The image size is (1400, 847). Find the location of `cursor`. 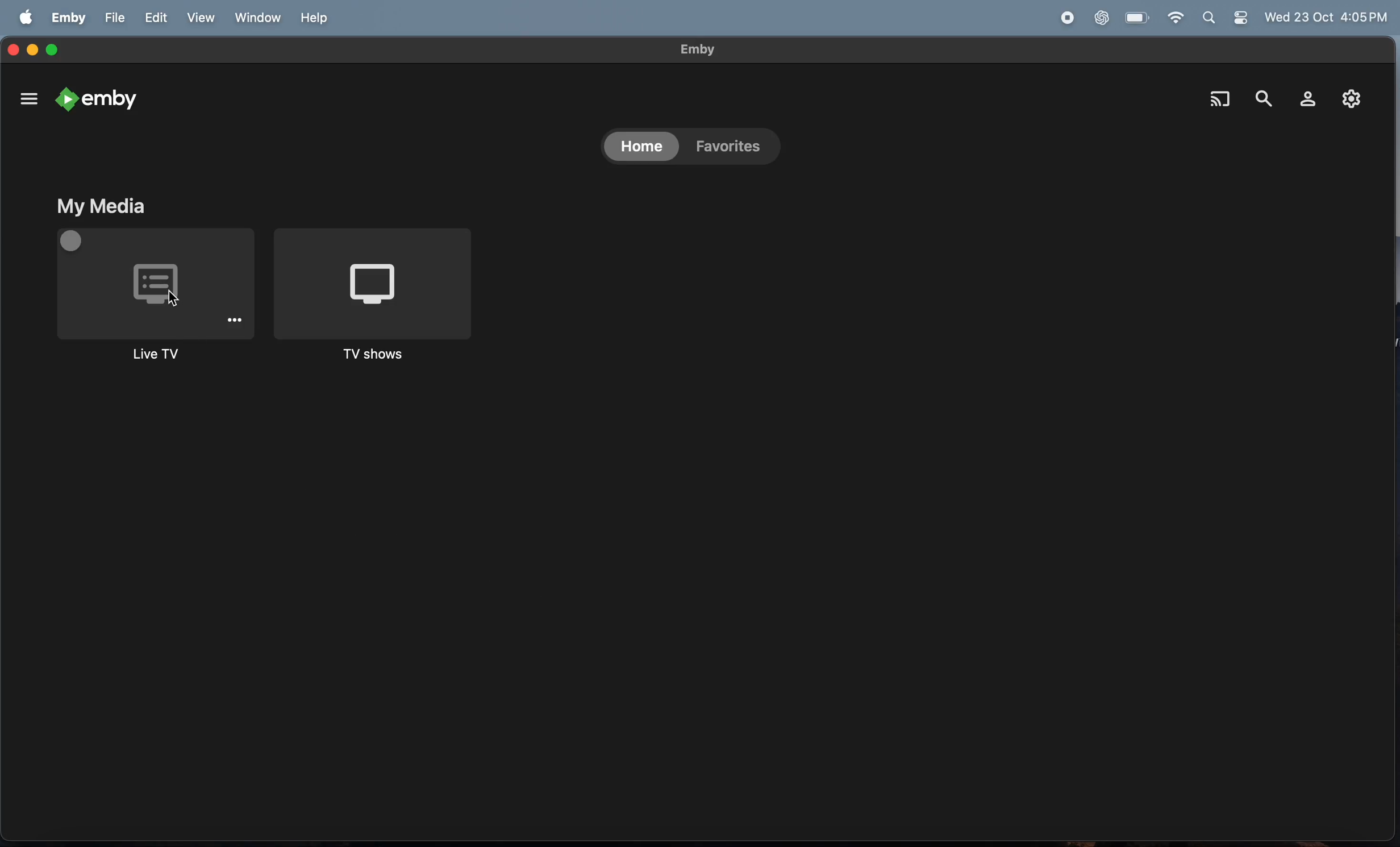

cursor is located at coordinates (173, 296).